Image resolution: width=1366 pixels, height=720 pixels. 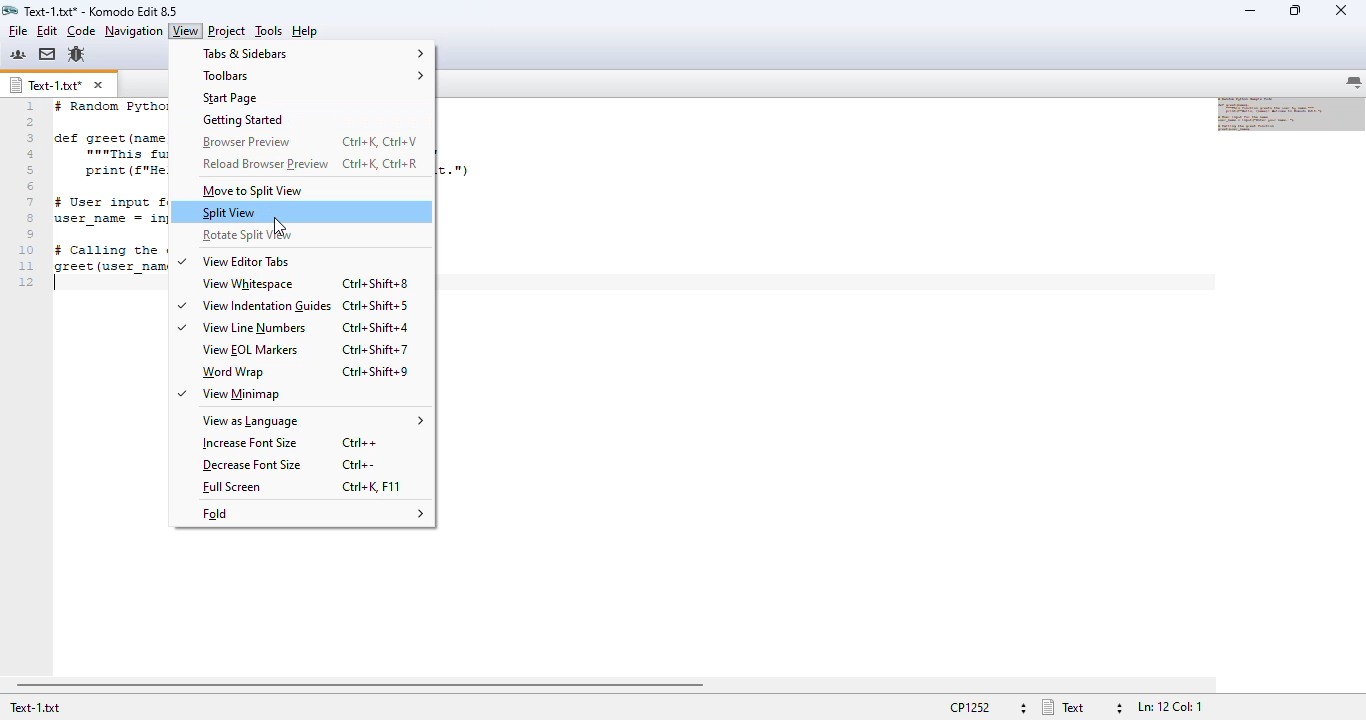 I want to click on project, so click(x=226, y=30).